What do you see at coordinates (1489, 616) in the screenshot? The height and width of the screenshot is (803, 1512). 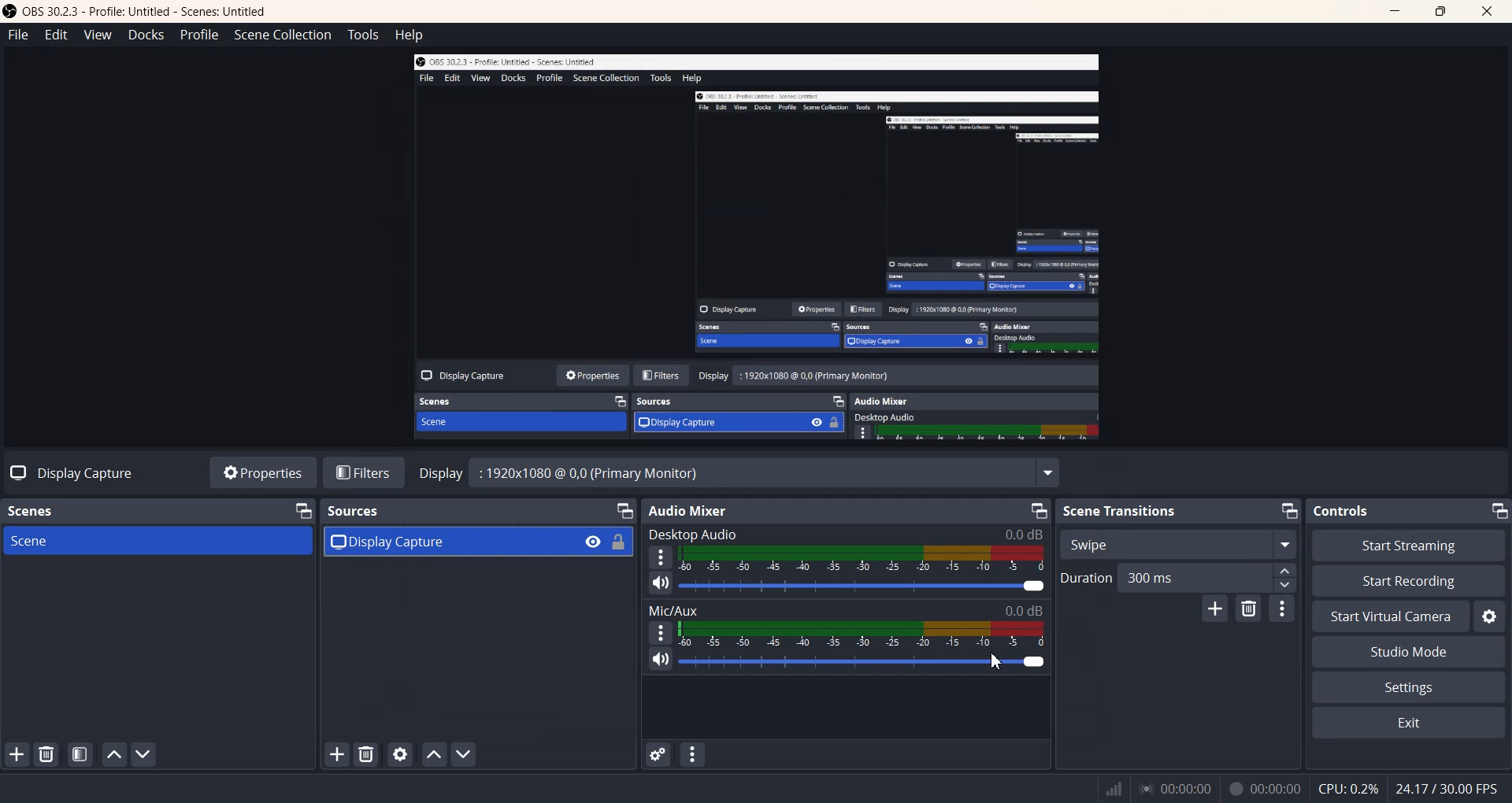 I see `Settings` at bounding box center [1489, 616].